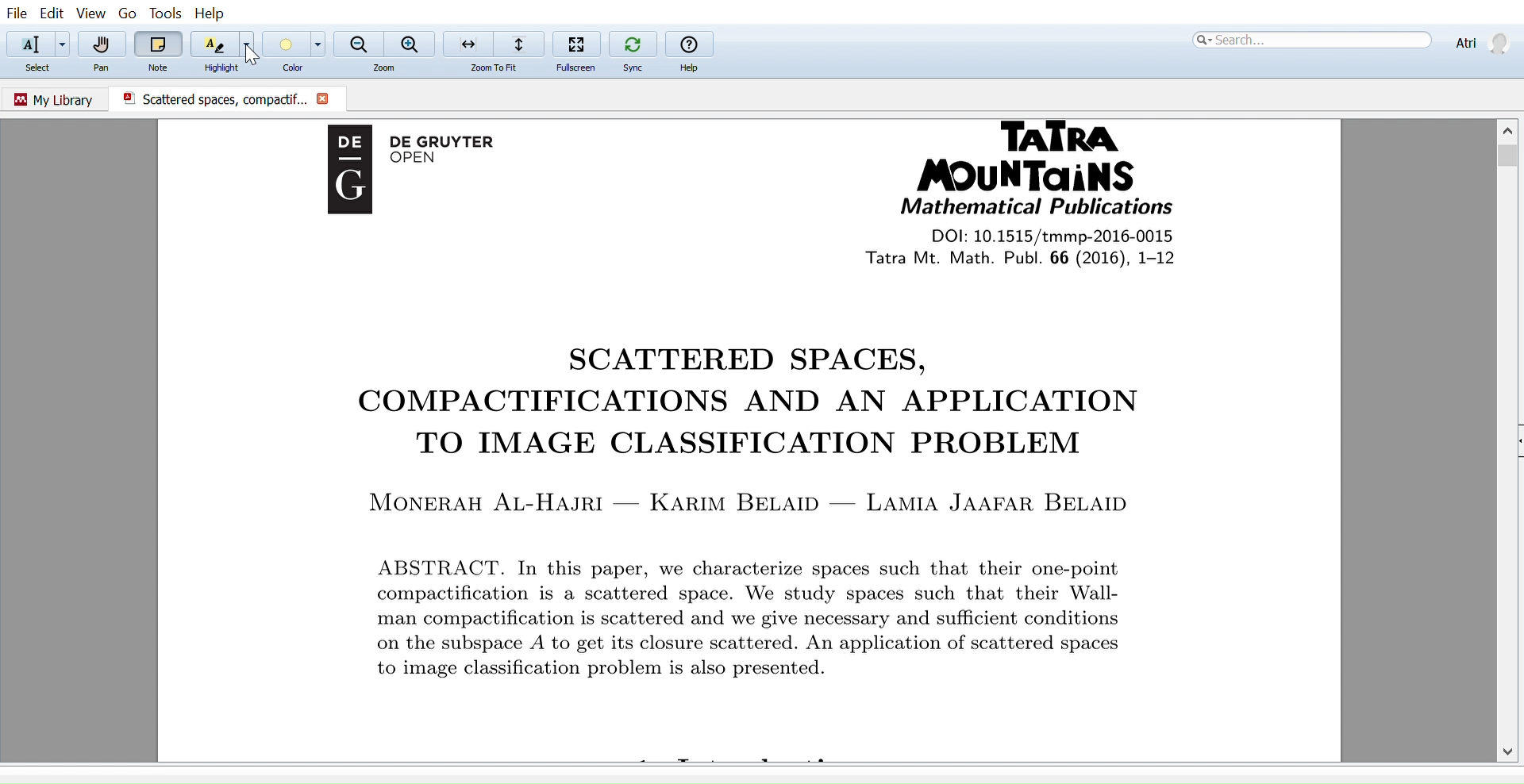 Image resolution: width=1524 pixels, height=784 pixels. What do you see at coordinates (633, 42) in the screenshot?
I see `Sync` at bounding box center [633, 42].